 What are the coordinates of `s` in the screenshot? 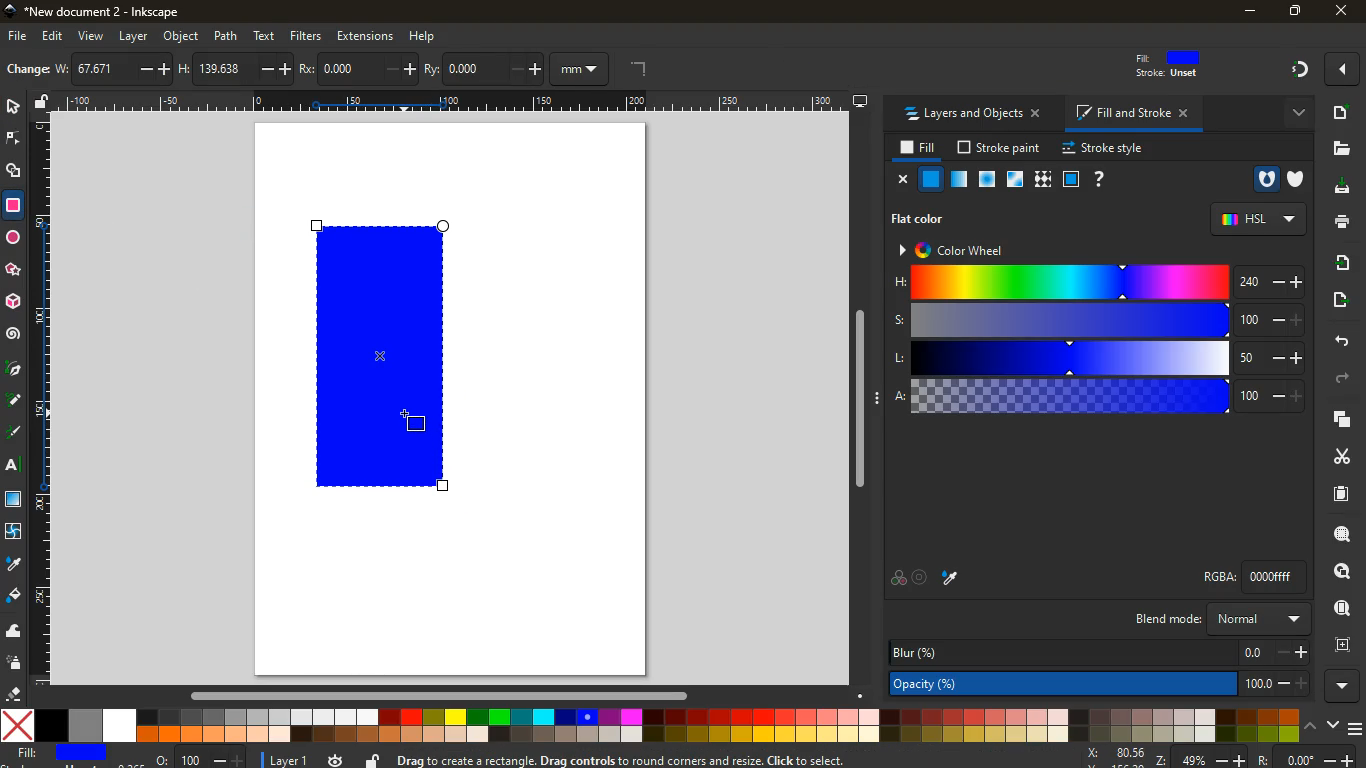 It's located at (1103, 320).